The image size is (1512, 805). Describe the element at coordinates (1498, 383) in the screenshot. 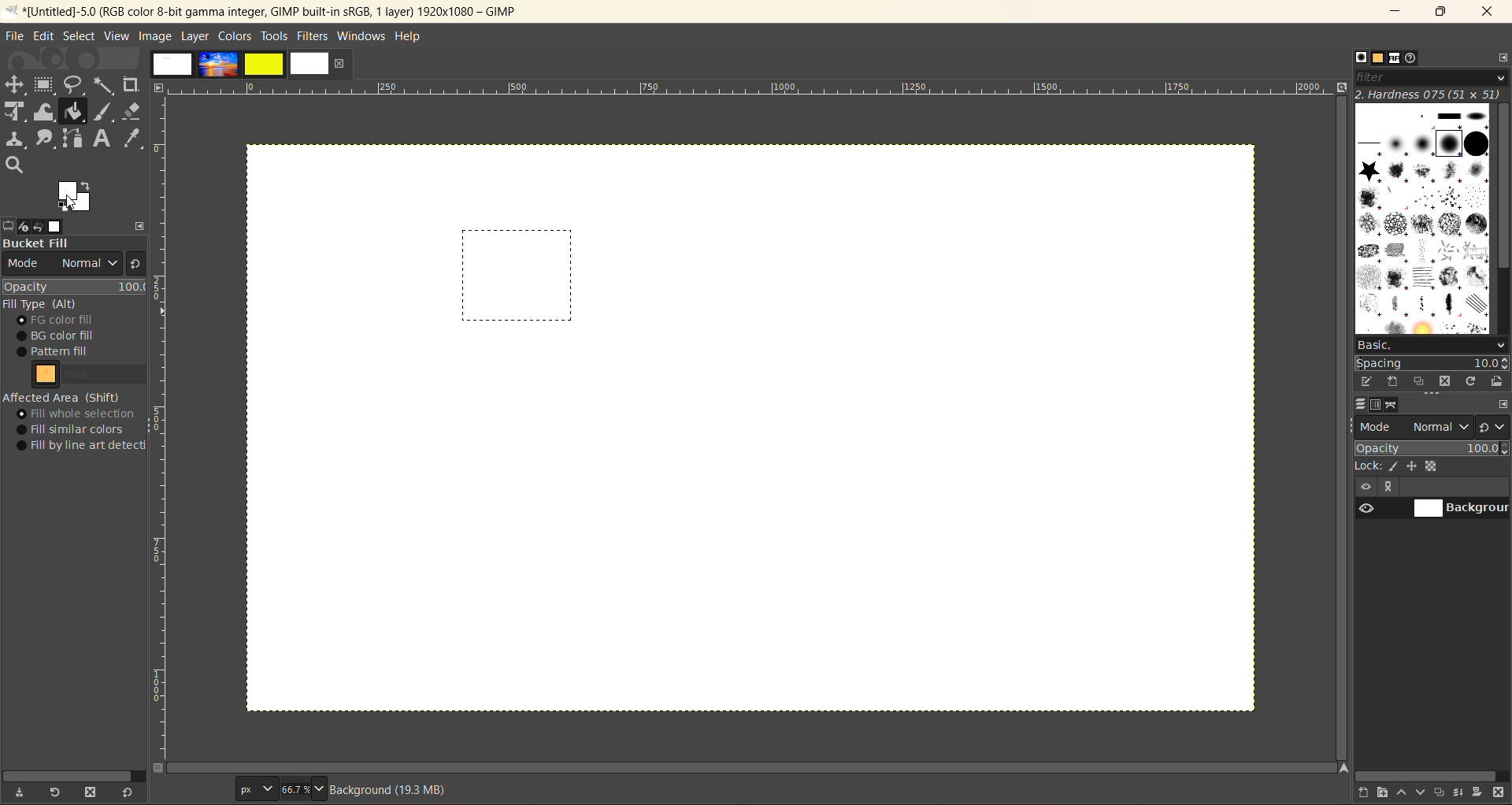

I see `open brush image` at that location.